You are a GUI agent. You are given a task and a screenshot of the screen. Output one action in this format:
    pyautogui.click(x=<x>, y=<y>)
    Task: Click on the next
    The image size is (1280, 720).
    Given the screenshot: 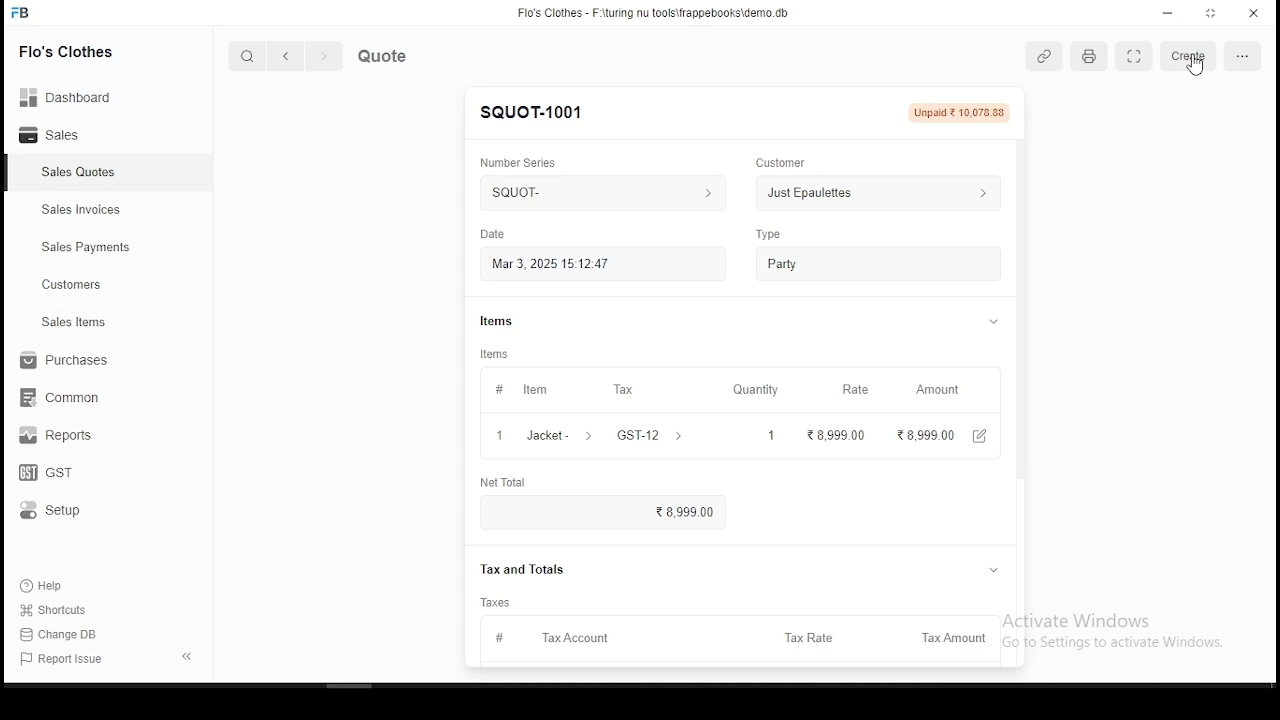 What is the action you would take?
    pyautogui.click(x=325, y=58)
    